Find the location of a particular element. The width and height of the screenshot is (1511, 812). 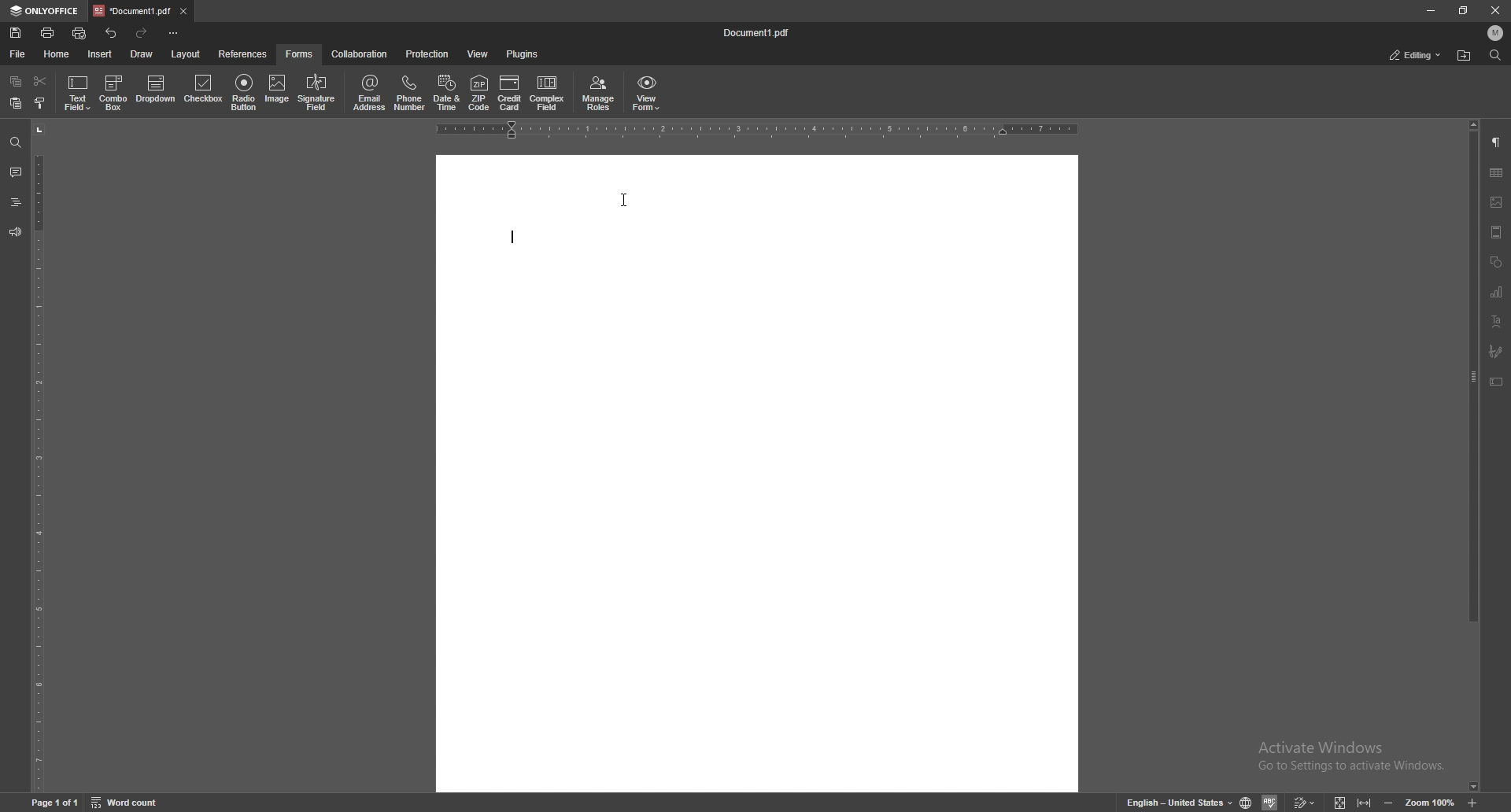

collaboration is located at coordinates (360, 54).